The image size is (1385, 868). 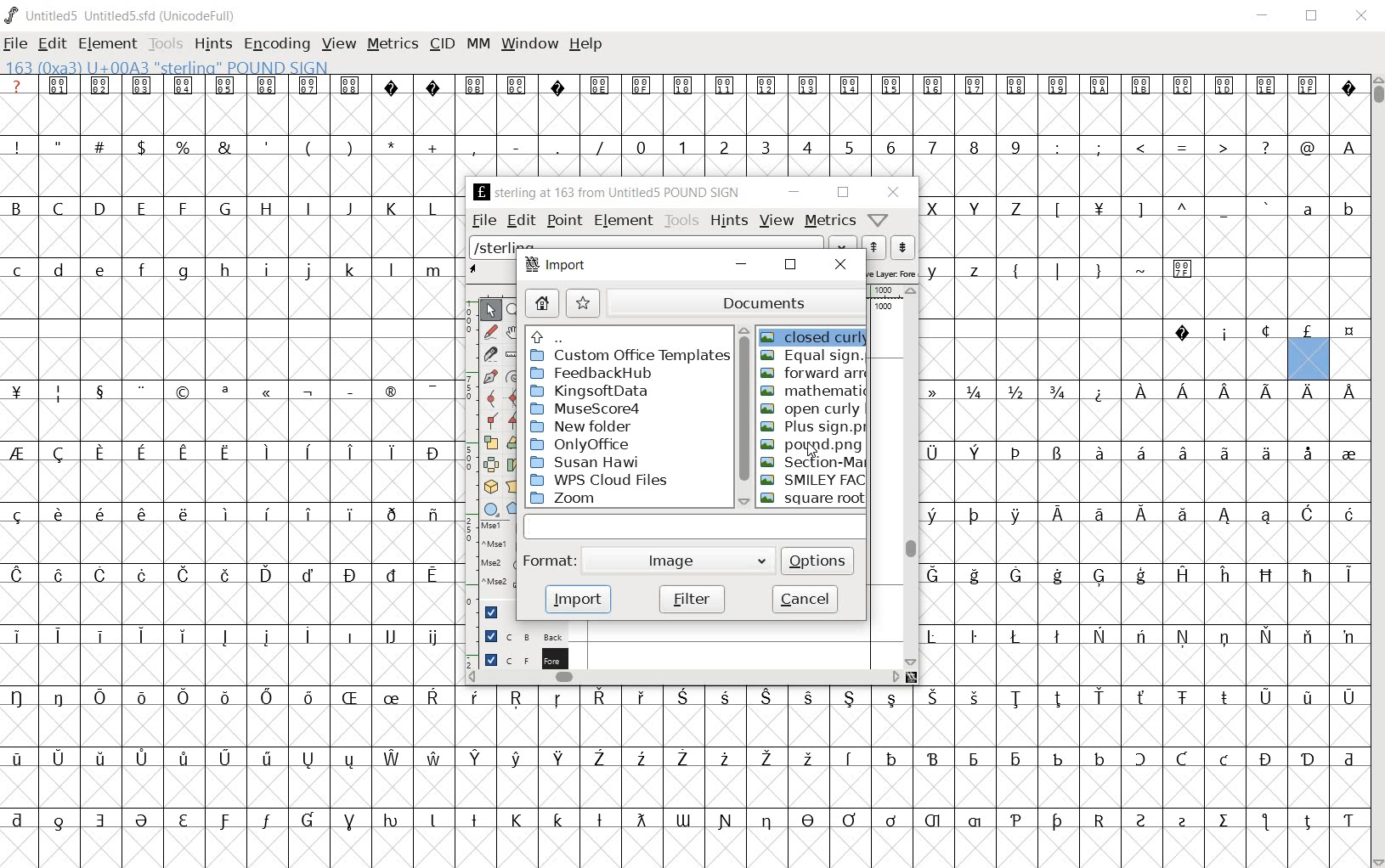 What do you see at coordinates (432, 638) in the screenshot?
I see `Symbol` at bounding box center [432, 638].